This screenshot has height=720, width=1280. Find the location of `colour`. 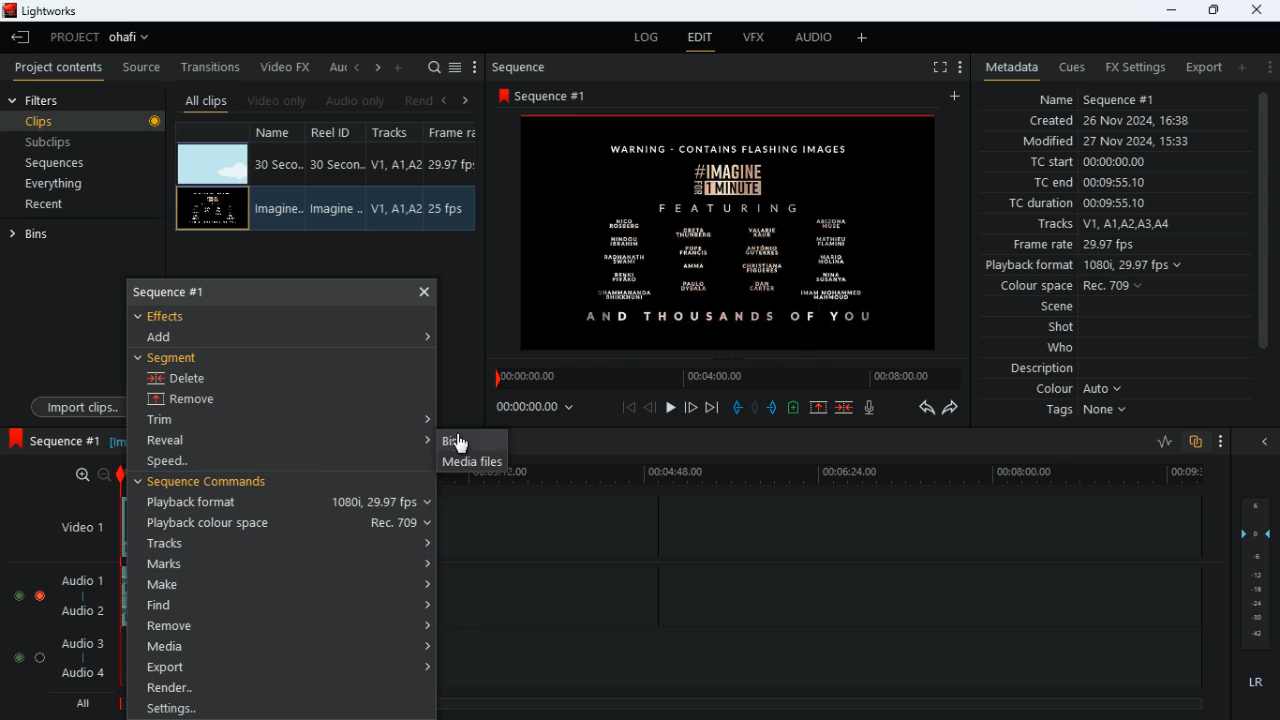

colour is located at coordinates (1076, 391).